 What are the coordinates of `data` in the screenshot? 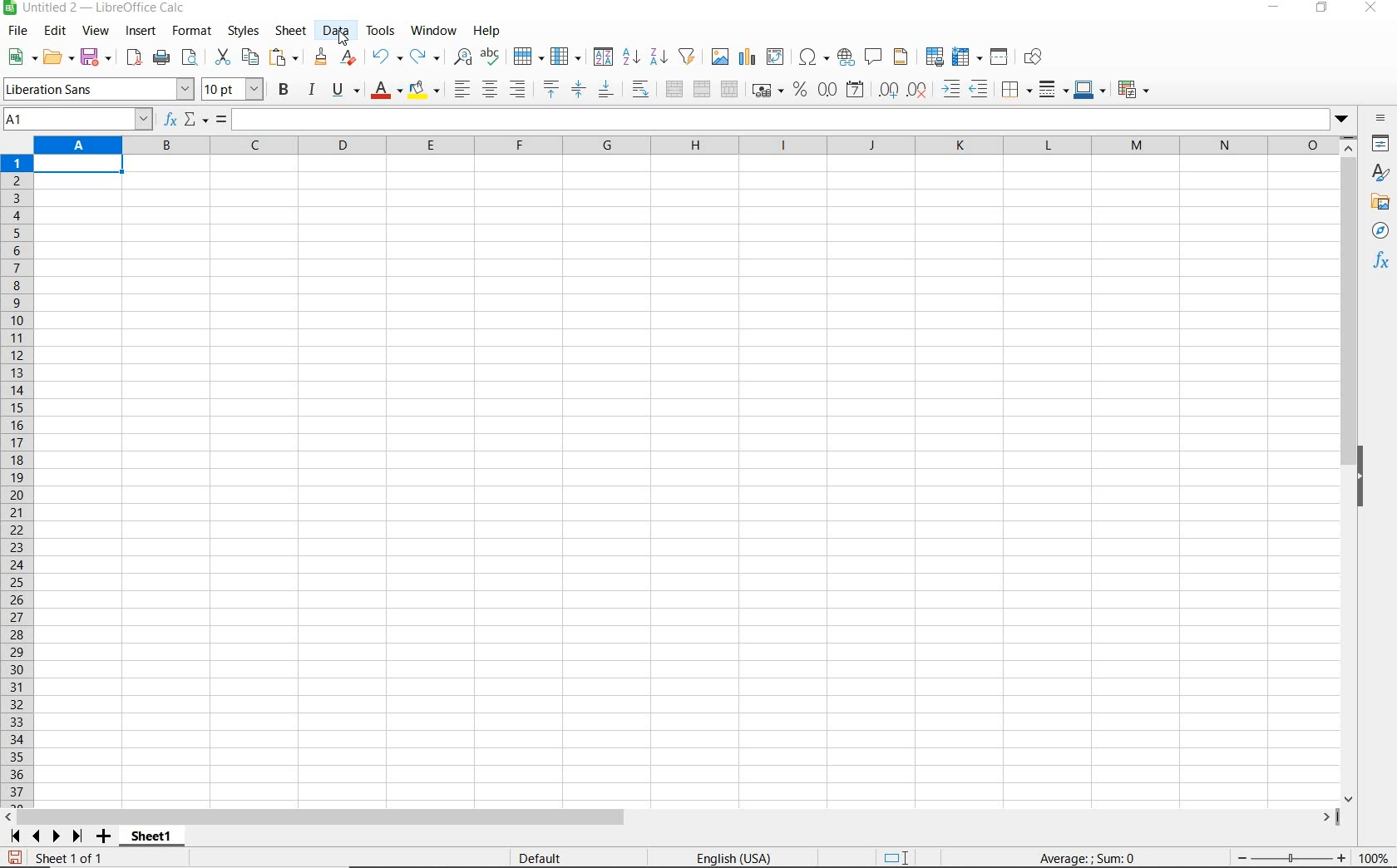 It's located at (335, 30).